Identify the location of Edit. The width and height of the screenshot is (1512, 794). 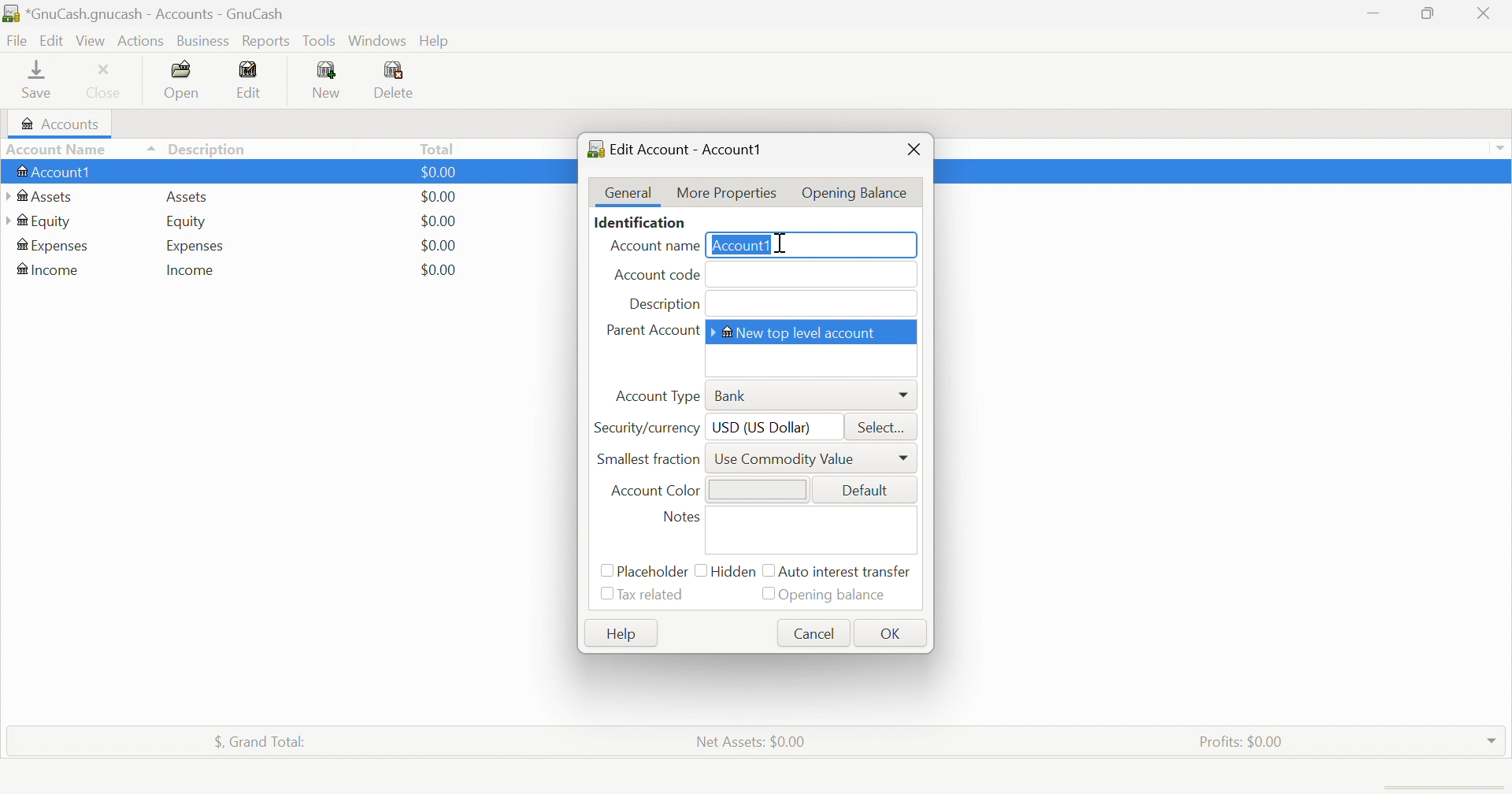
(254, 80).